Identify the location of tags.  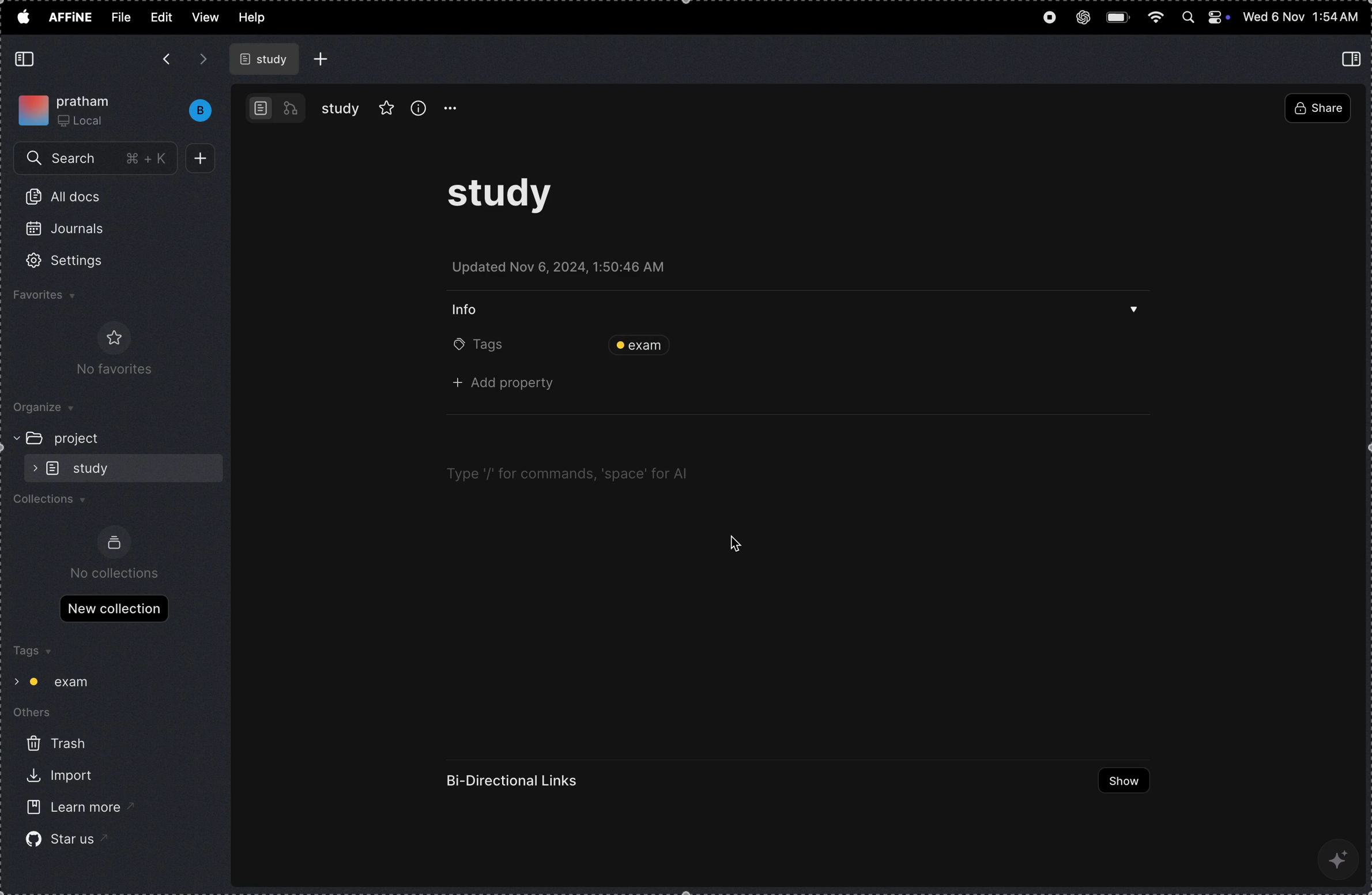
(480, 347).